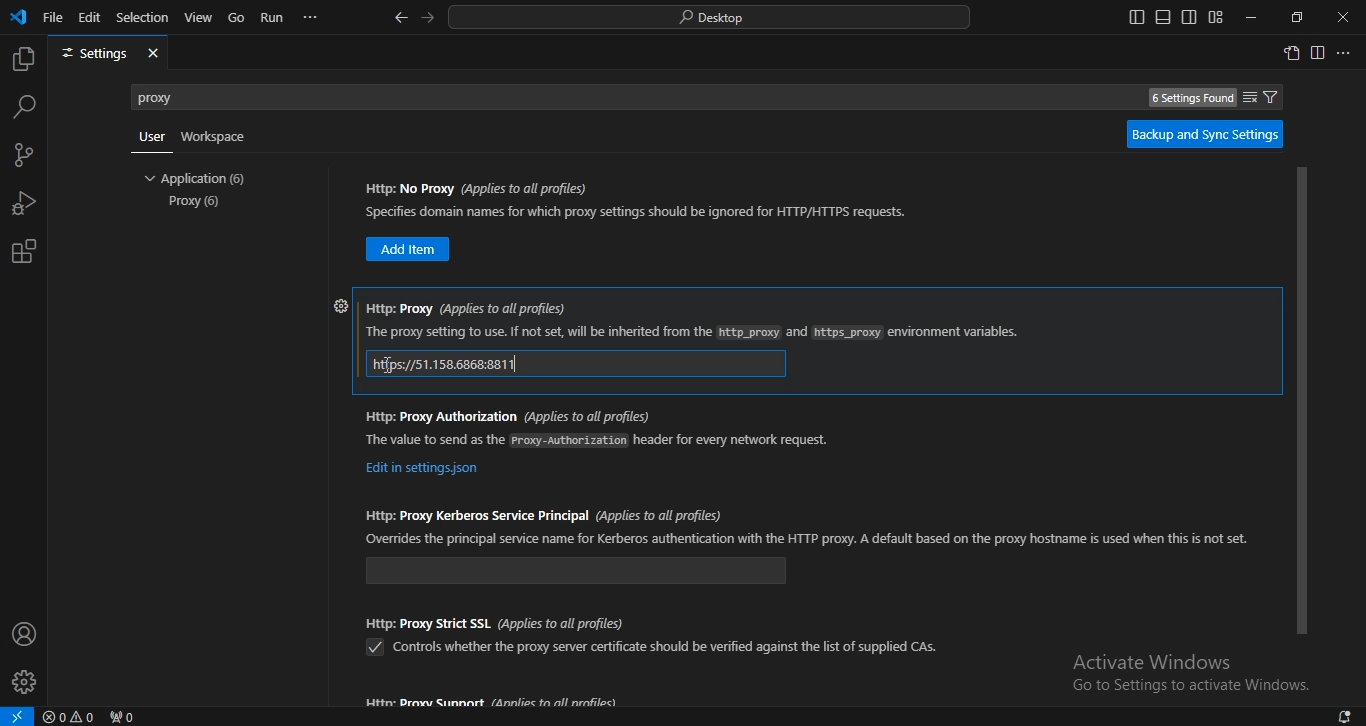 The height and width of the screenshot is (726, 1366). Describe the element at coordinates (479, 188) in the screenshot. I see `https: no proxy` at that location.